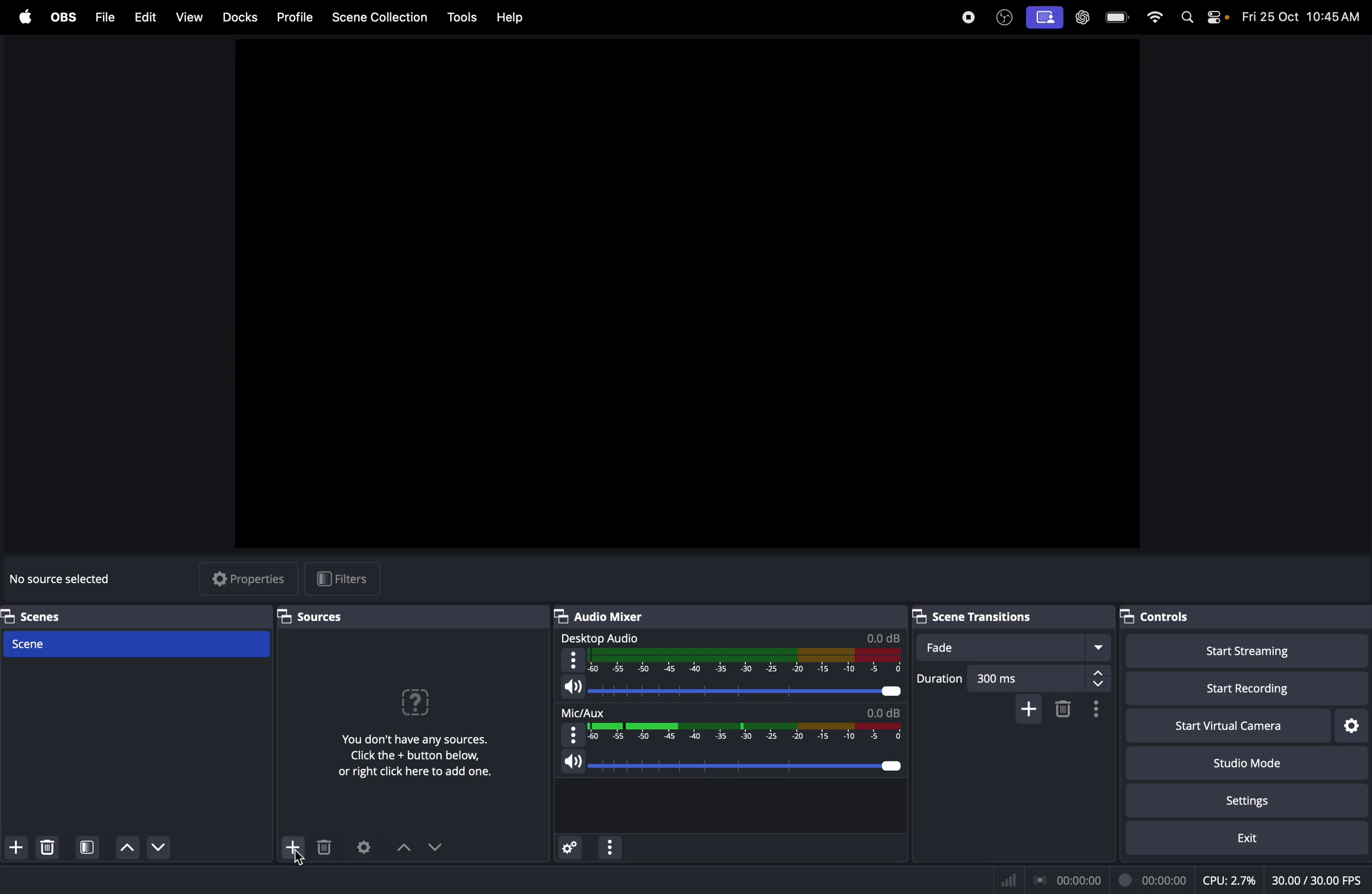  Describe the element at coordinates (1259, 798) in the screenshot. I see `setting` at that location.